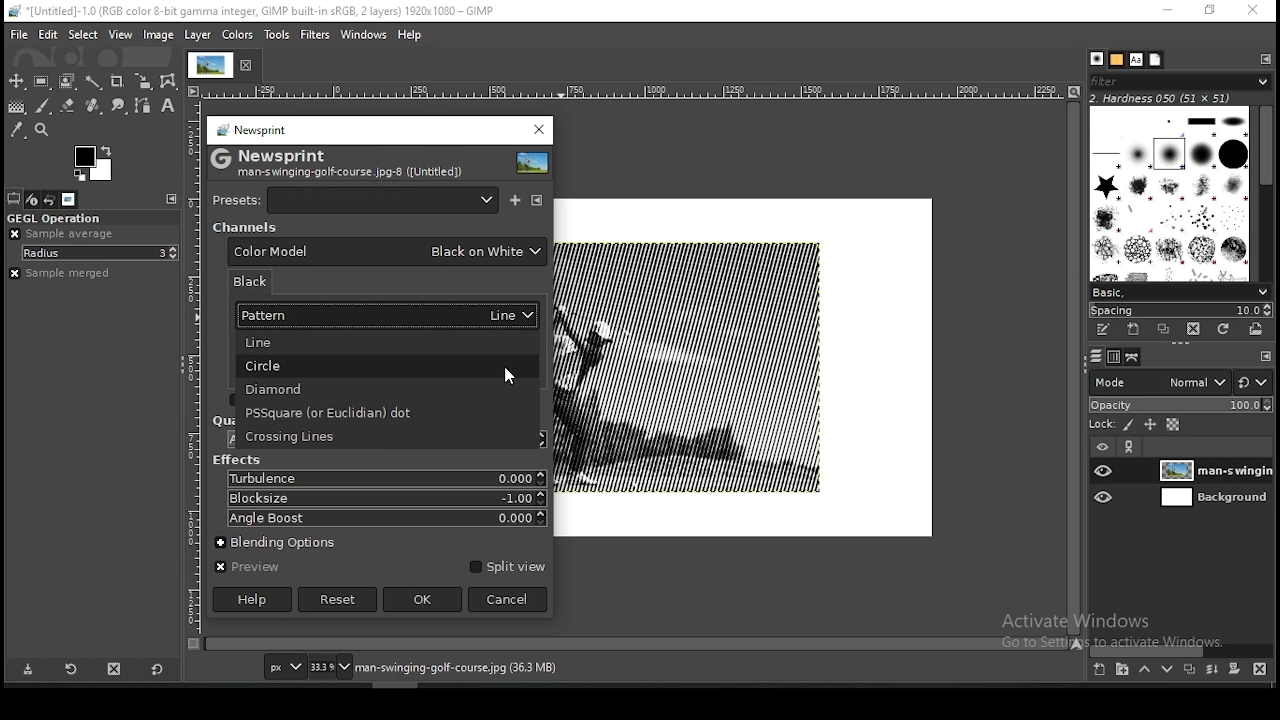  I want to click on spacing, so click(1181, 309).